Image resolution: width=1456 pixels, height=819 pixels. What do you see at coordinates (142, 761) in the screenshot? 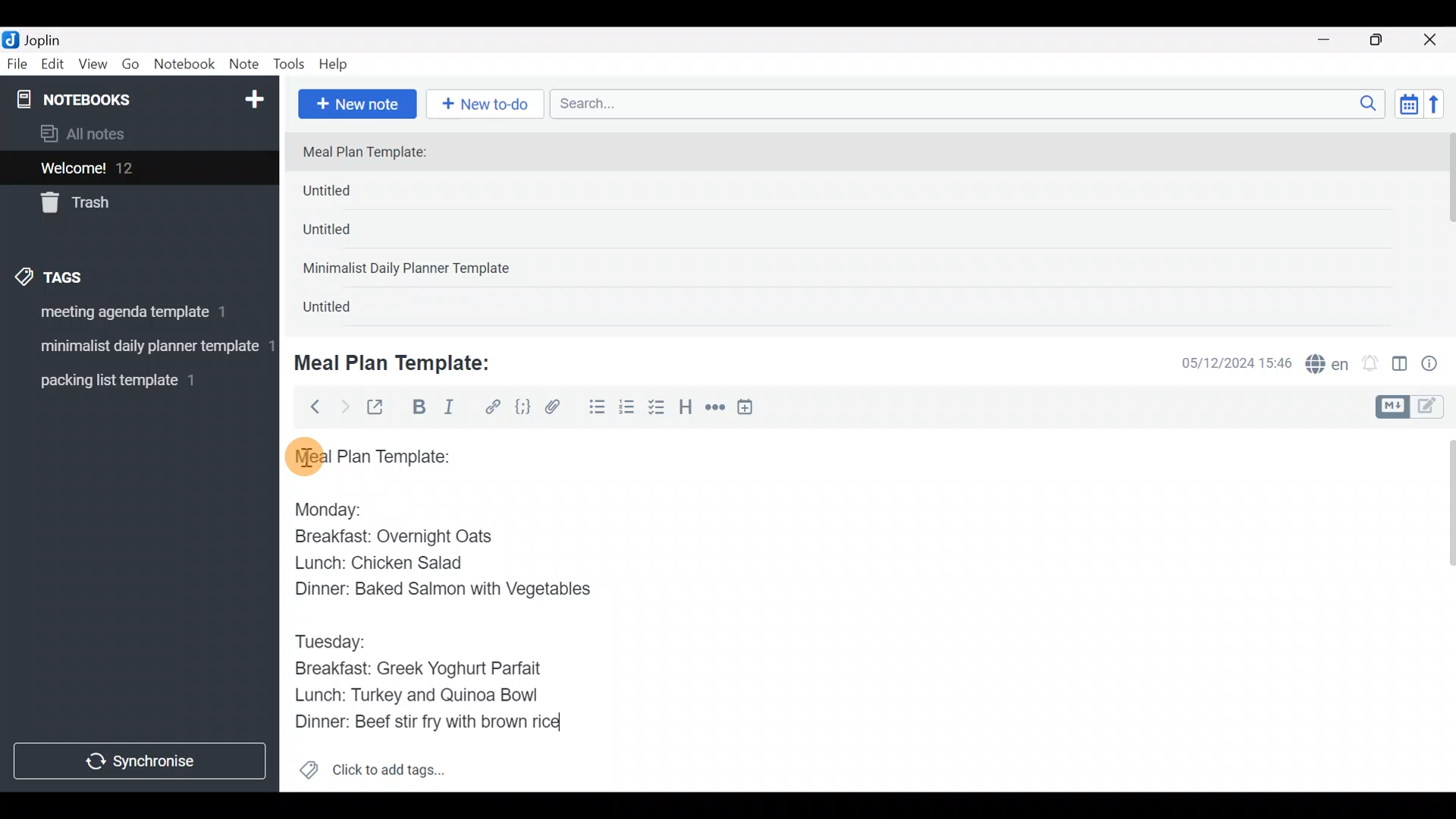
I see `Synchronize` at bounding box center [142, 761].